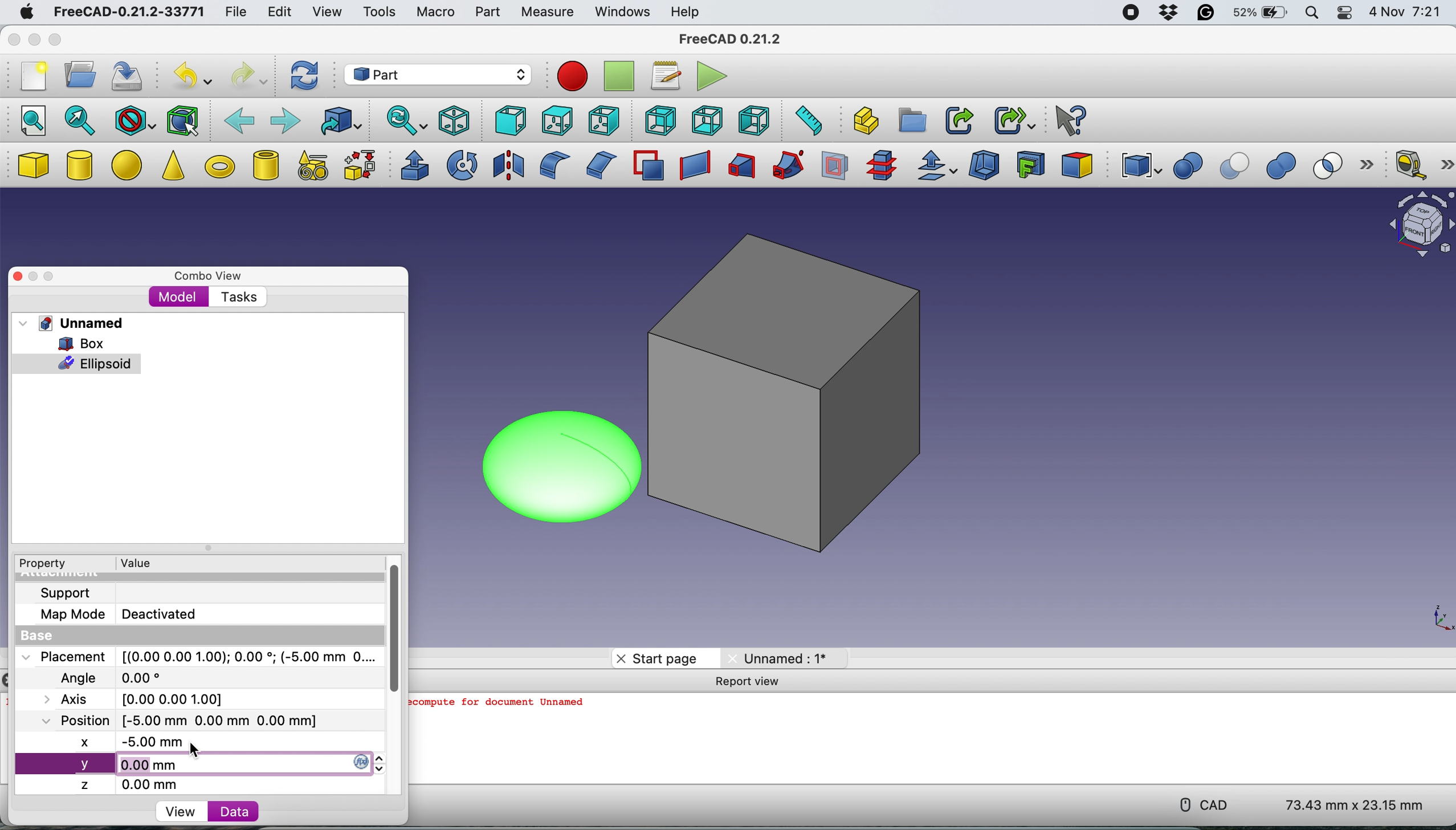  What do you see at coordinates (18, 276) in the screenshot?
I see `close` at bounding box center [18, 276].